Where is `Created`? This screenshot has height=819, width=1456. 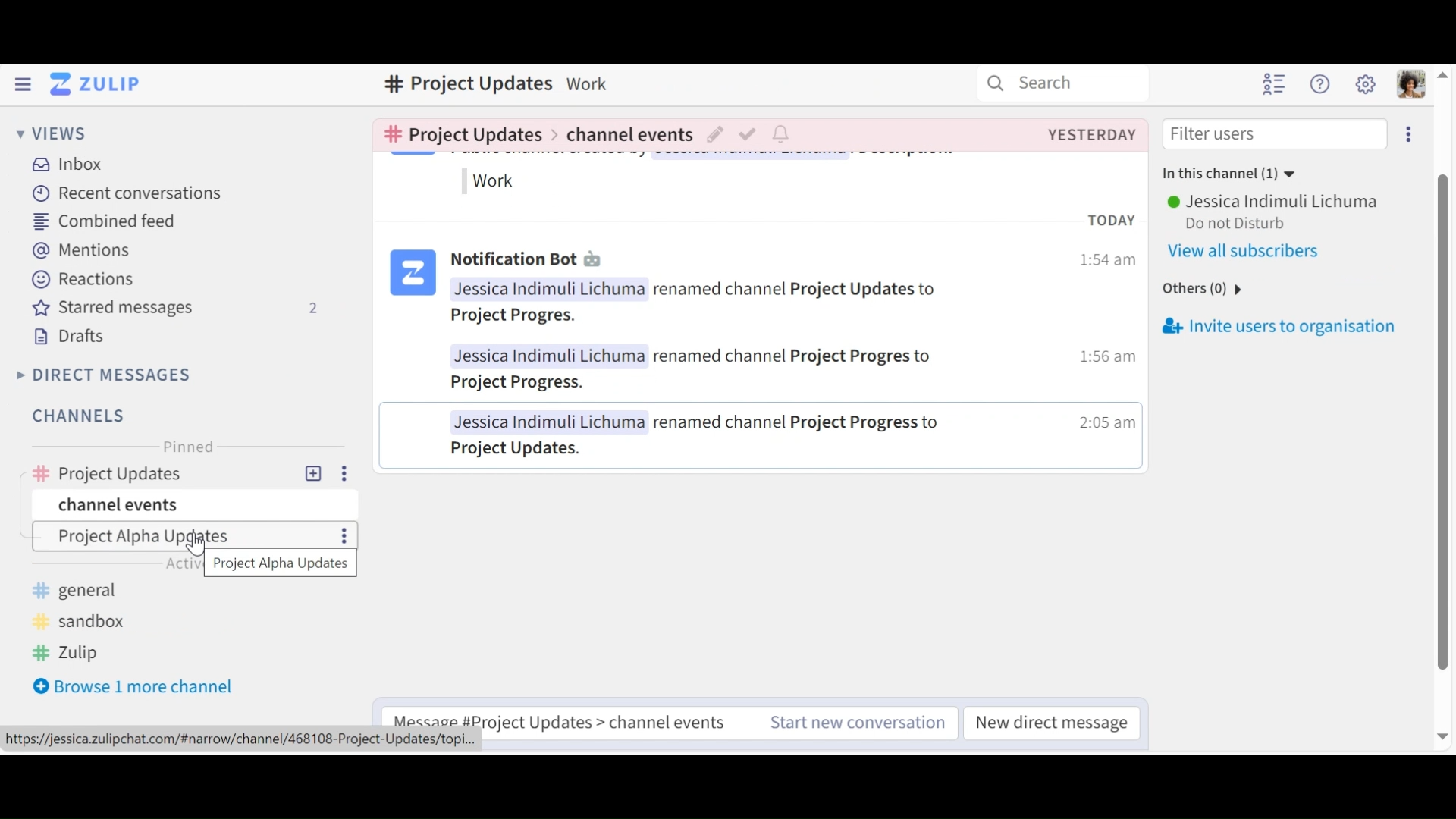 Created is located at coordinates (1091, 135).